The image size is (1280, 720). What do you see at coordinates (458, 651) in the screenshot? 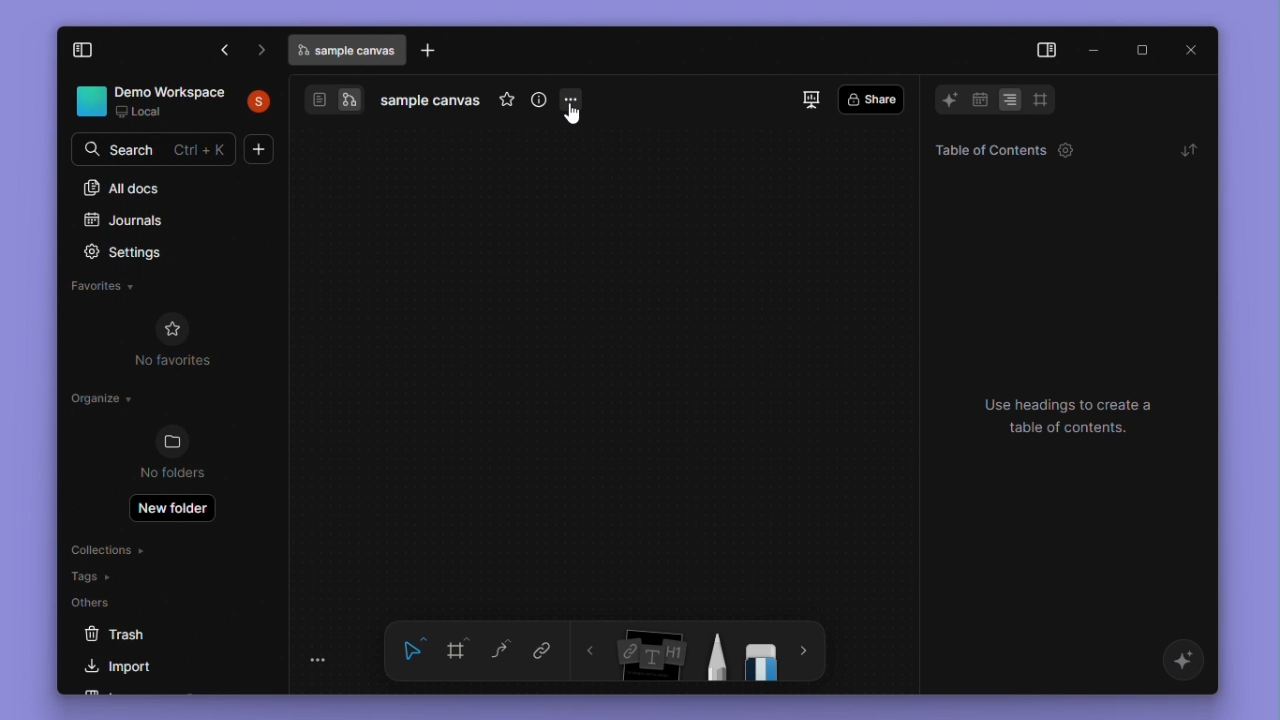
I see `frame` at bounding box center [458, 651].